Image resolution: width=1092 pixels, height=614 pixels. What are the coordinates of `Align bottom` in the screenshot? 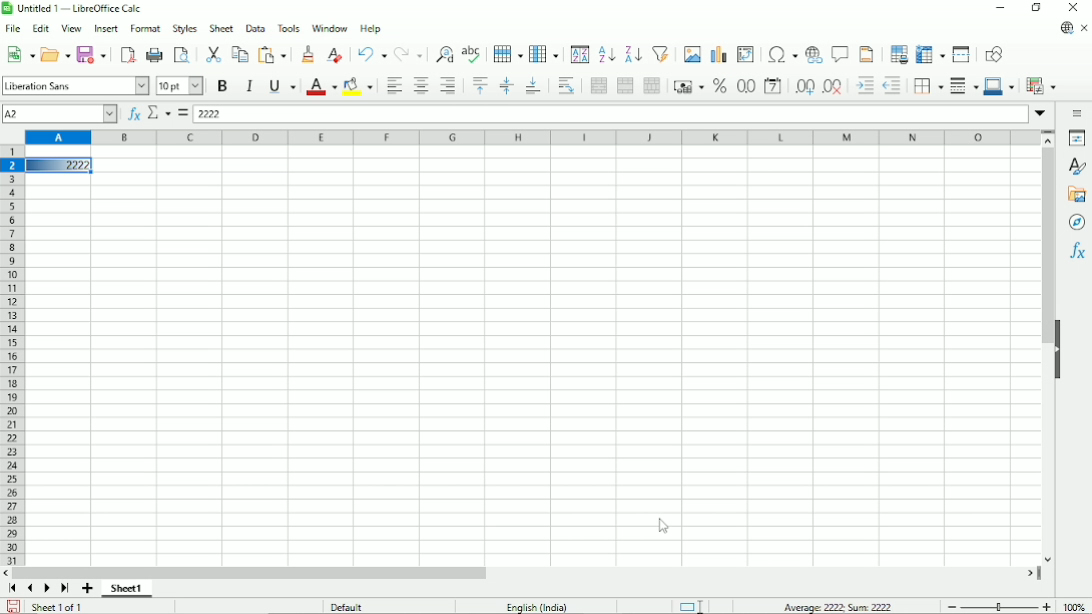 It's located at (533, 86).